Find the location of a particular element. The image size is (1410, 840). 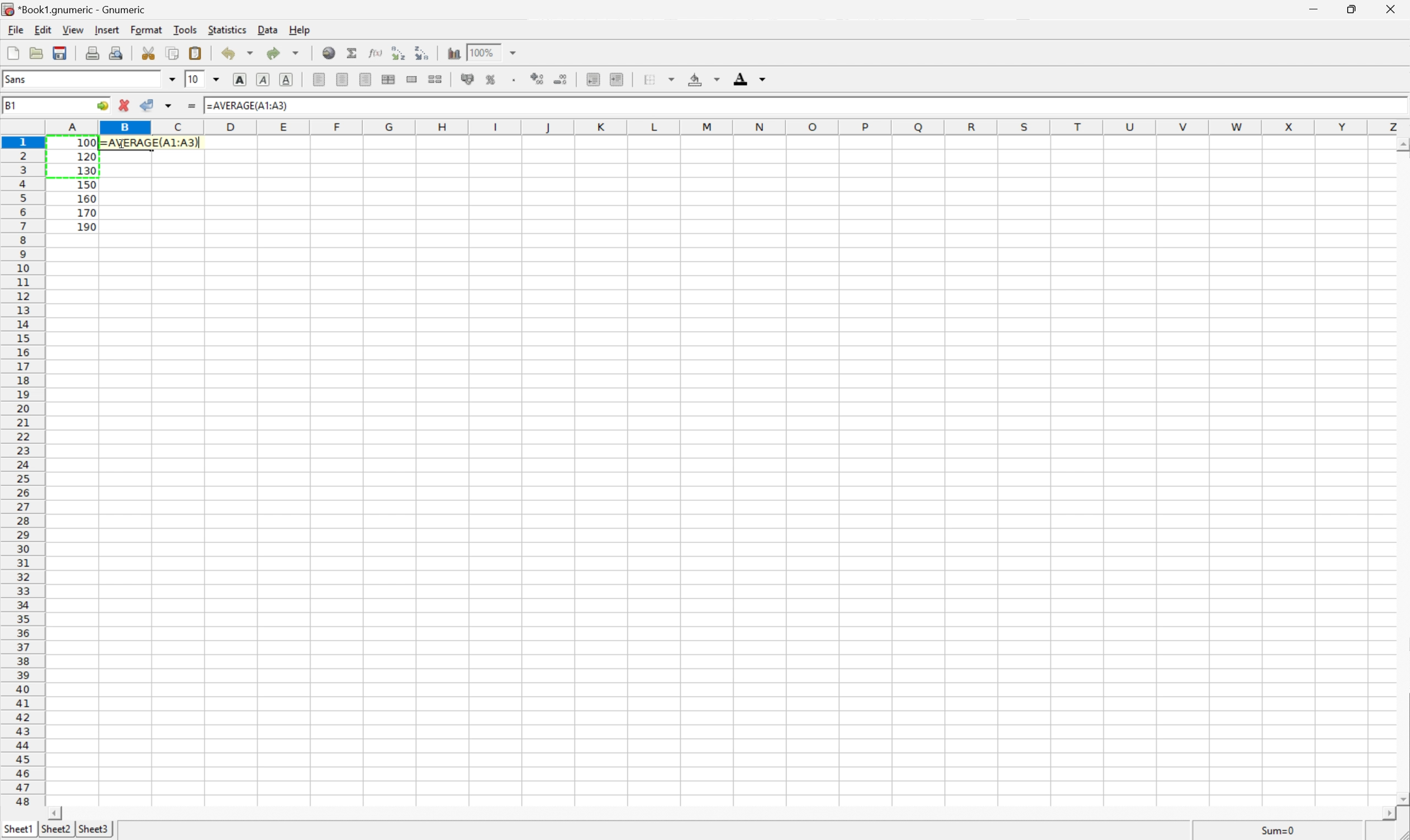

Edit is located at coordinates (45, 30).